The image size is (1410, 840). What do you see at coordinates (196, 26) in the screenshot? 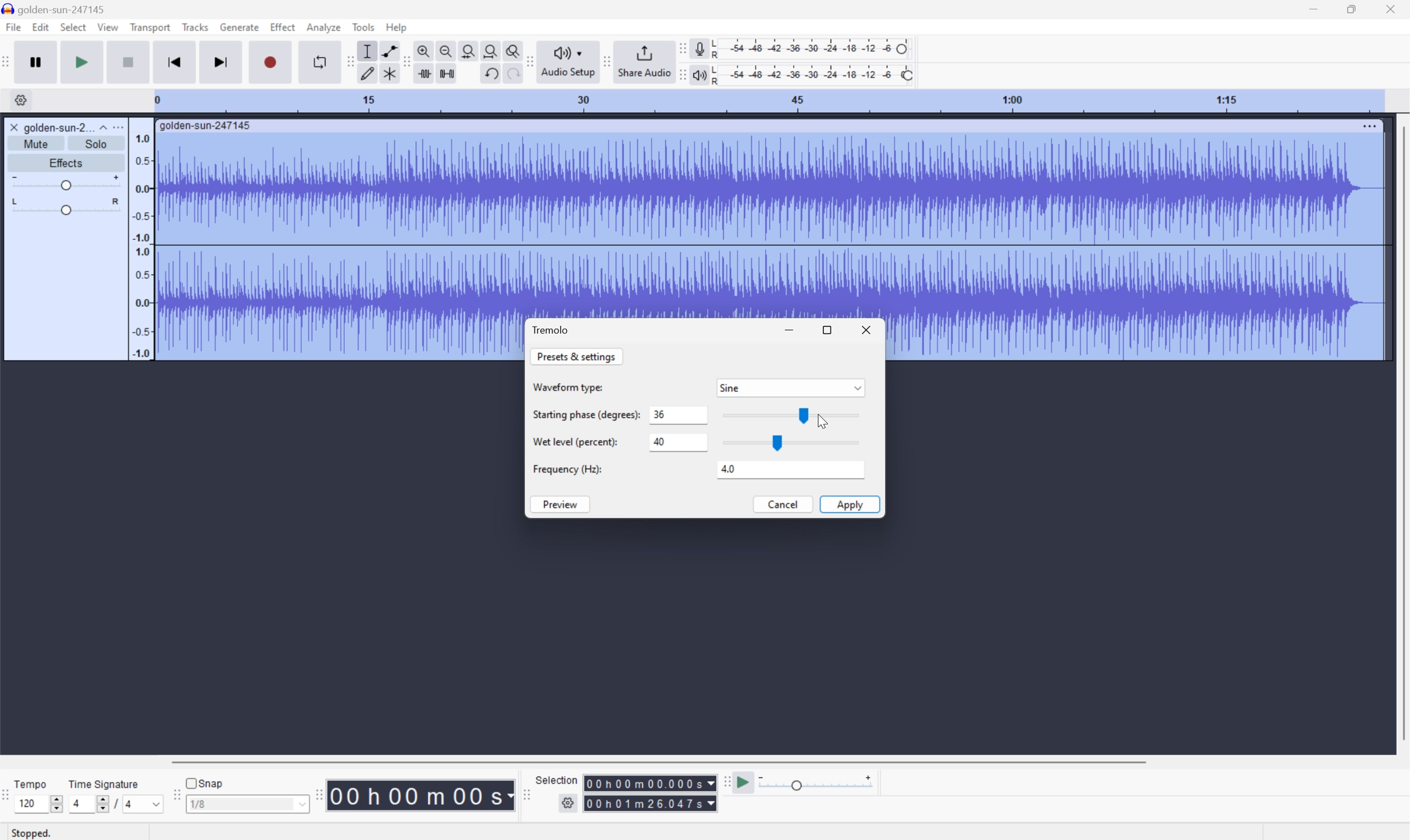
I see `Tracks` at bounding box center [196, 26].